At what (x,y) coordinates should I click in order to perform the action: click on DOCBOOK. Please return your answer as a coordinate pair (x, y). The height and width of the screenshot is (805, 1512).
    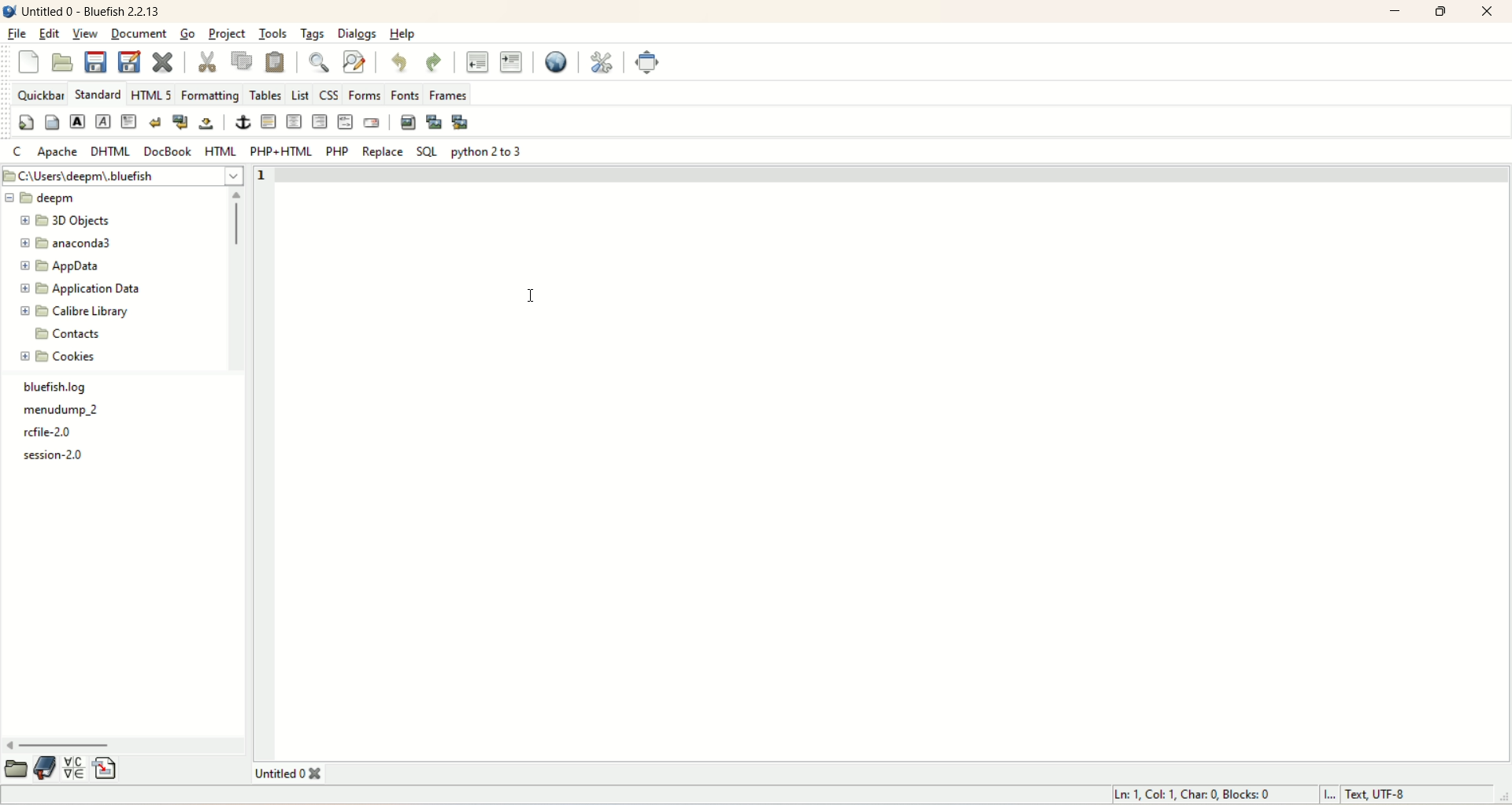
    Looking at the image, I should click on (169, 151).